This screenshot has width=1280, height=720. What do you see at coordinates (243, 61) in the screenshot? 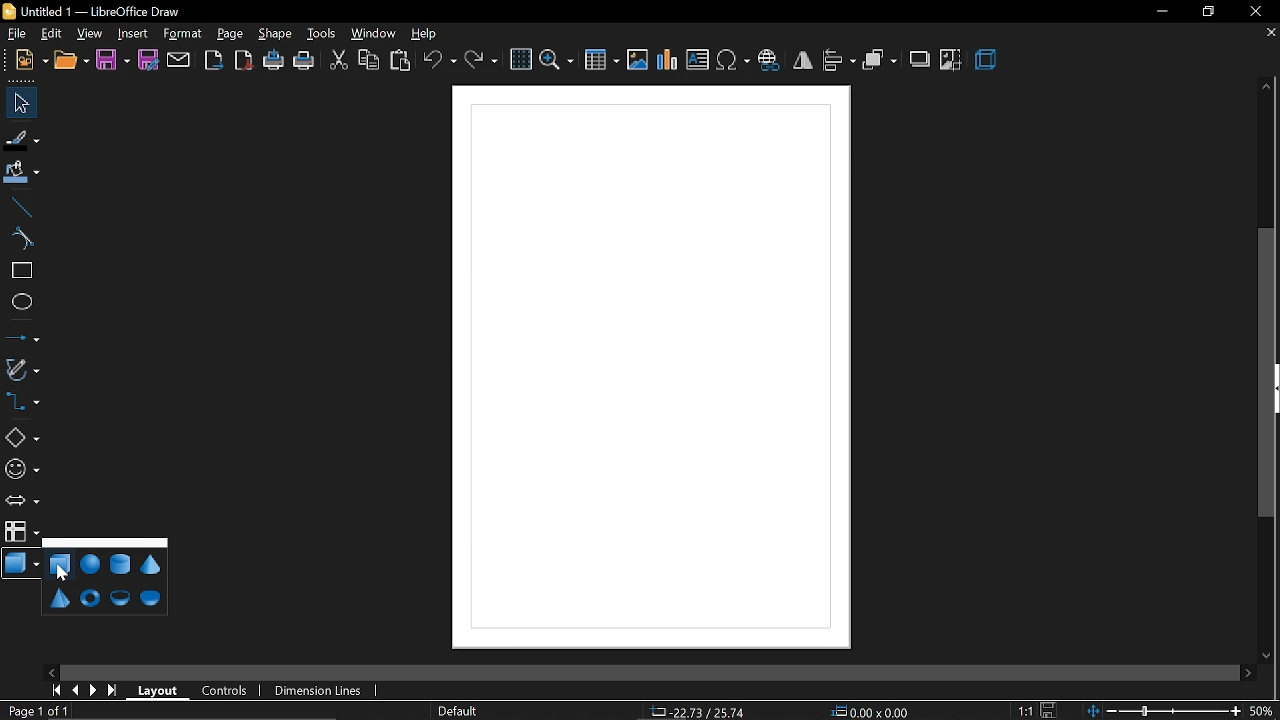
I see `export as pdf` at bounding box center [243, 61].